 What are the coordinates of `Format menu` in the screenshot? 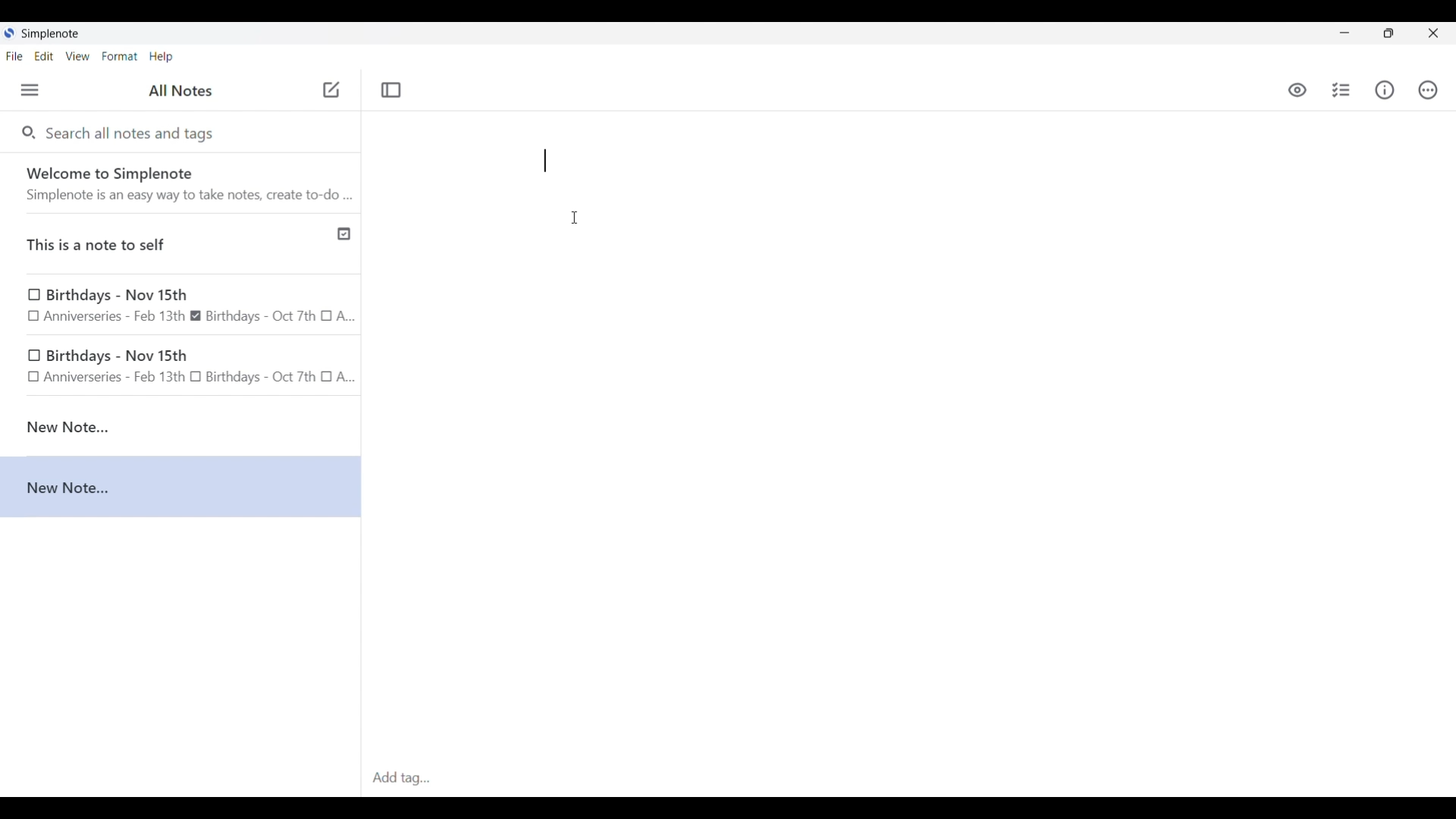 It's located at (120, 56).